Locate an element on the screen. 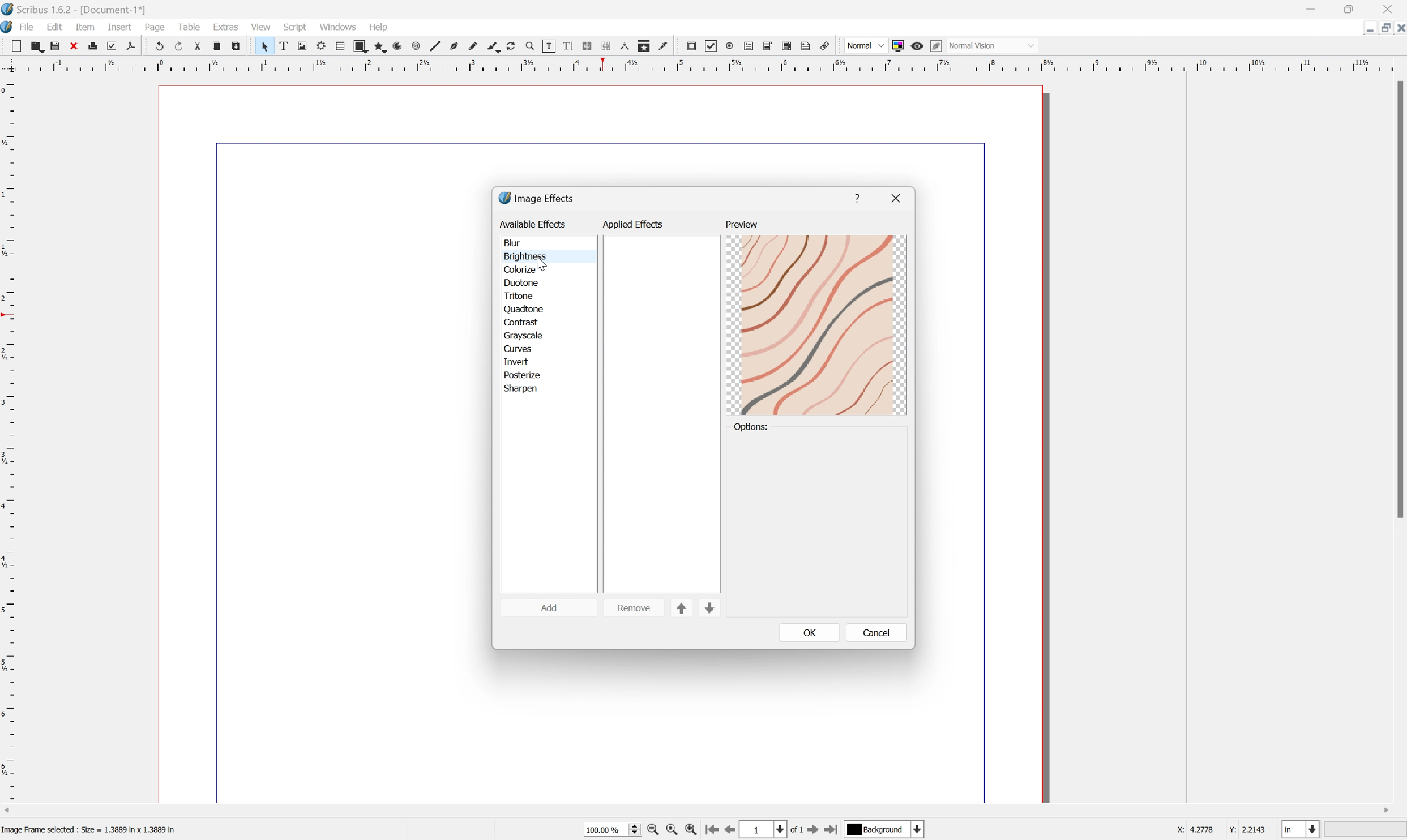 The image size is (1407, 840). Restore down is located at coordinates (1353, 8).